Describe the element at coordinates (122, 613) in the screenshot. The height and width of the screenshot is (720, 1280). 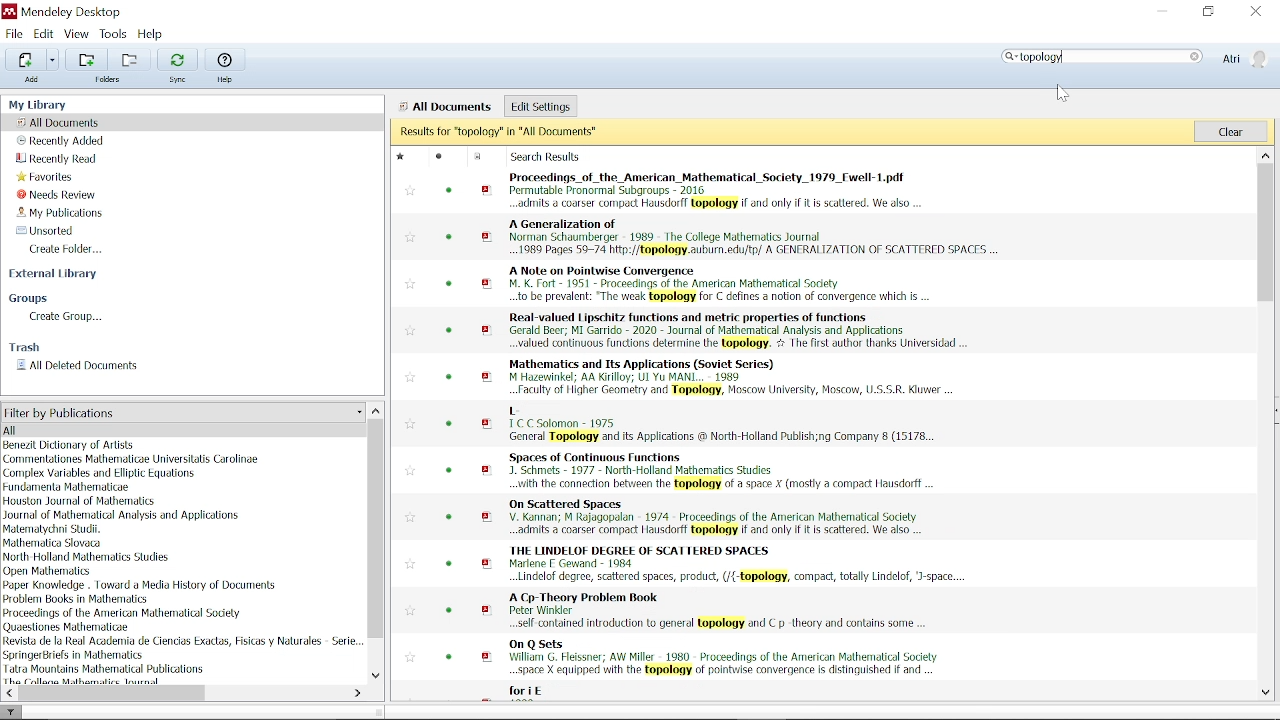
I see `author` at that location.